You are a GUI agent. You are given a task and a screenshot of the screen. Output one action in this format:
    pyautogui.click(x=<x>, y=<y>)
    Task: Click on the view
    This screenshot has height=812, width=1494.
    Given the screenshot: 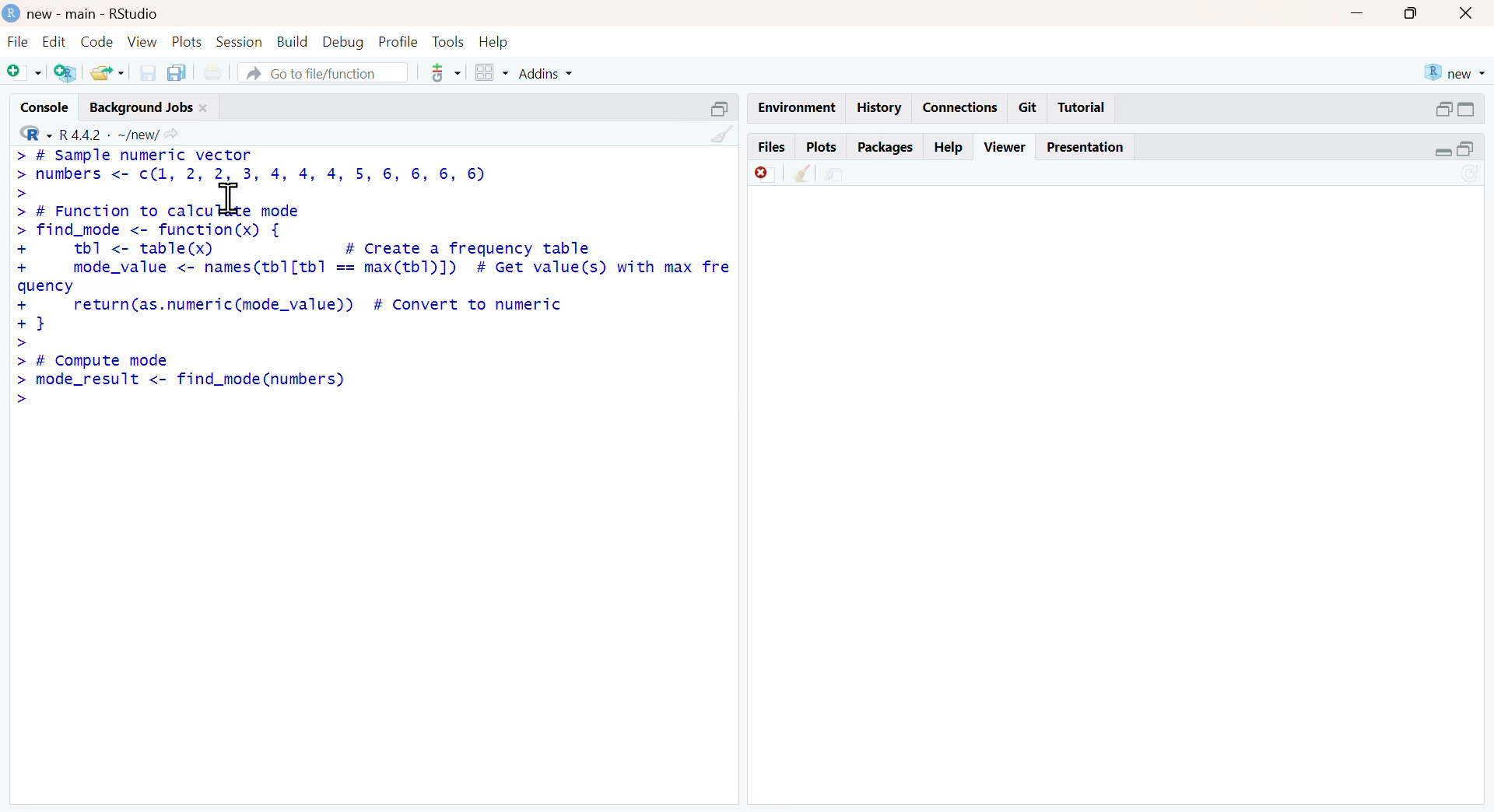 What is the action you would take?
    pyautogui.click(x=143, y=40)
    